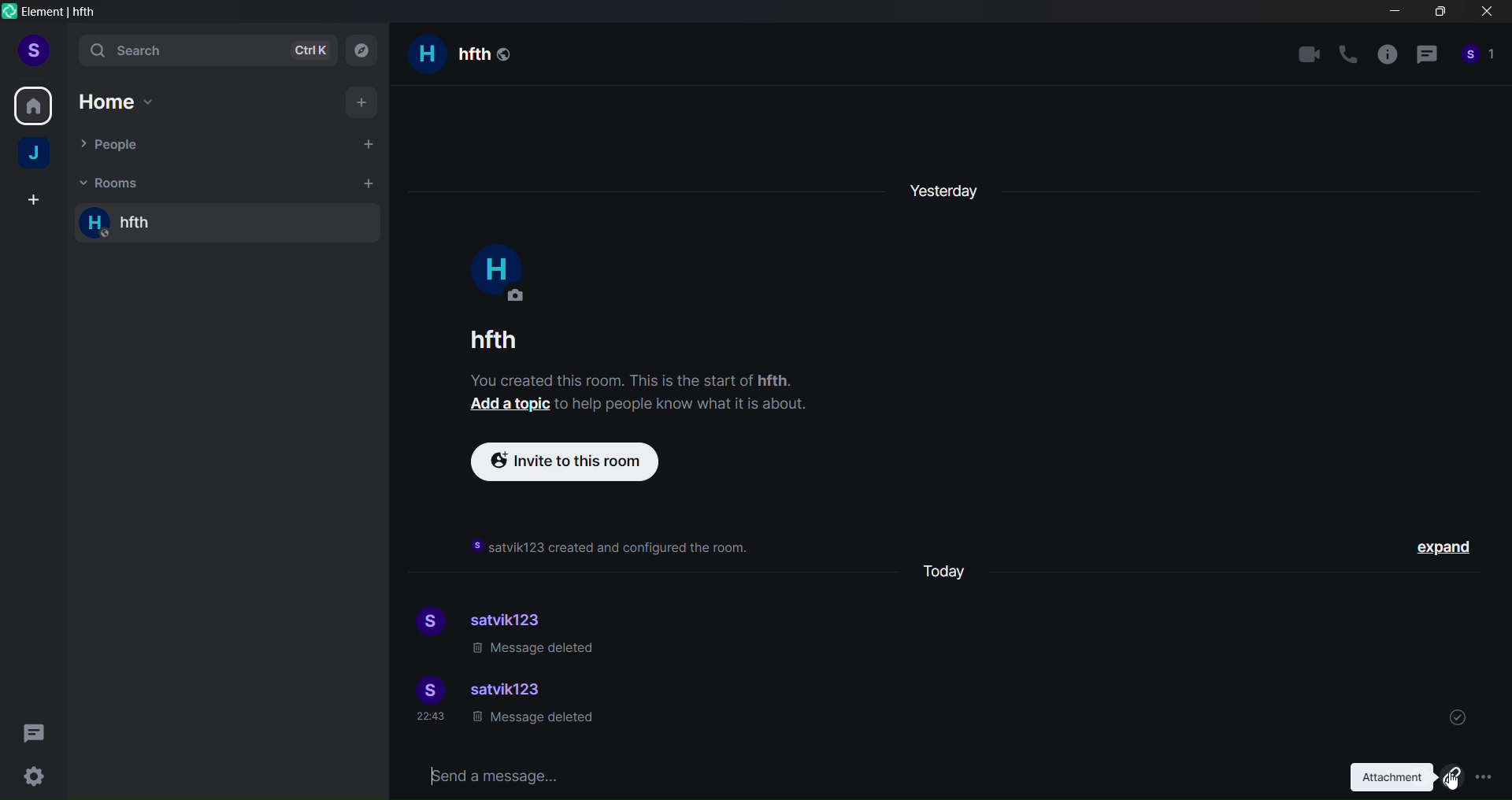 The height and width of the screenshot is (800, 1512). I want to click on time, so click(433, 718).